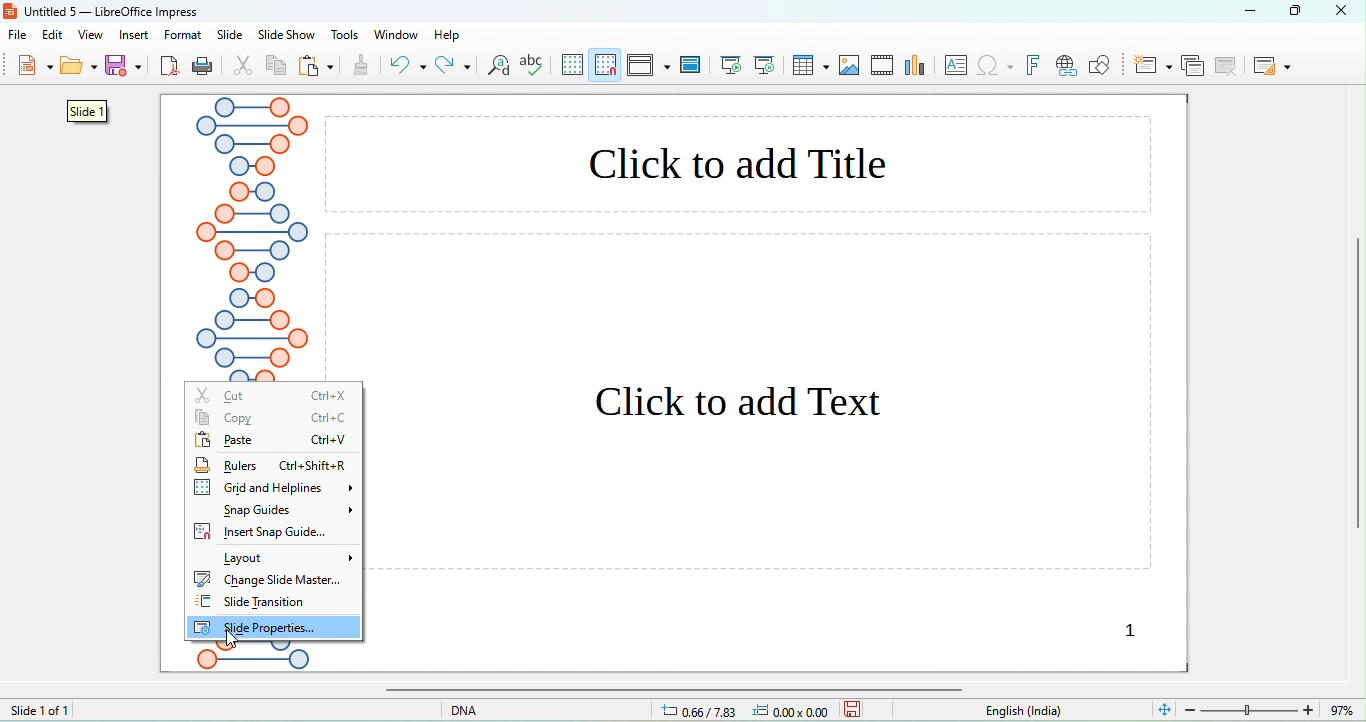 The height and width of the screenshot is (722, 1366). I want to click on vertical scroll bar, so click(1357, 387).